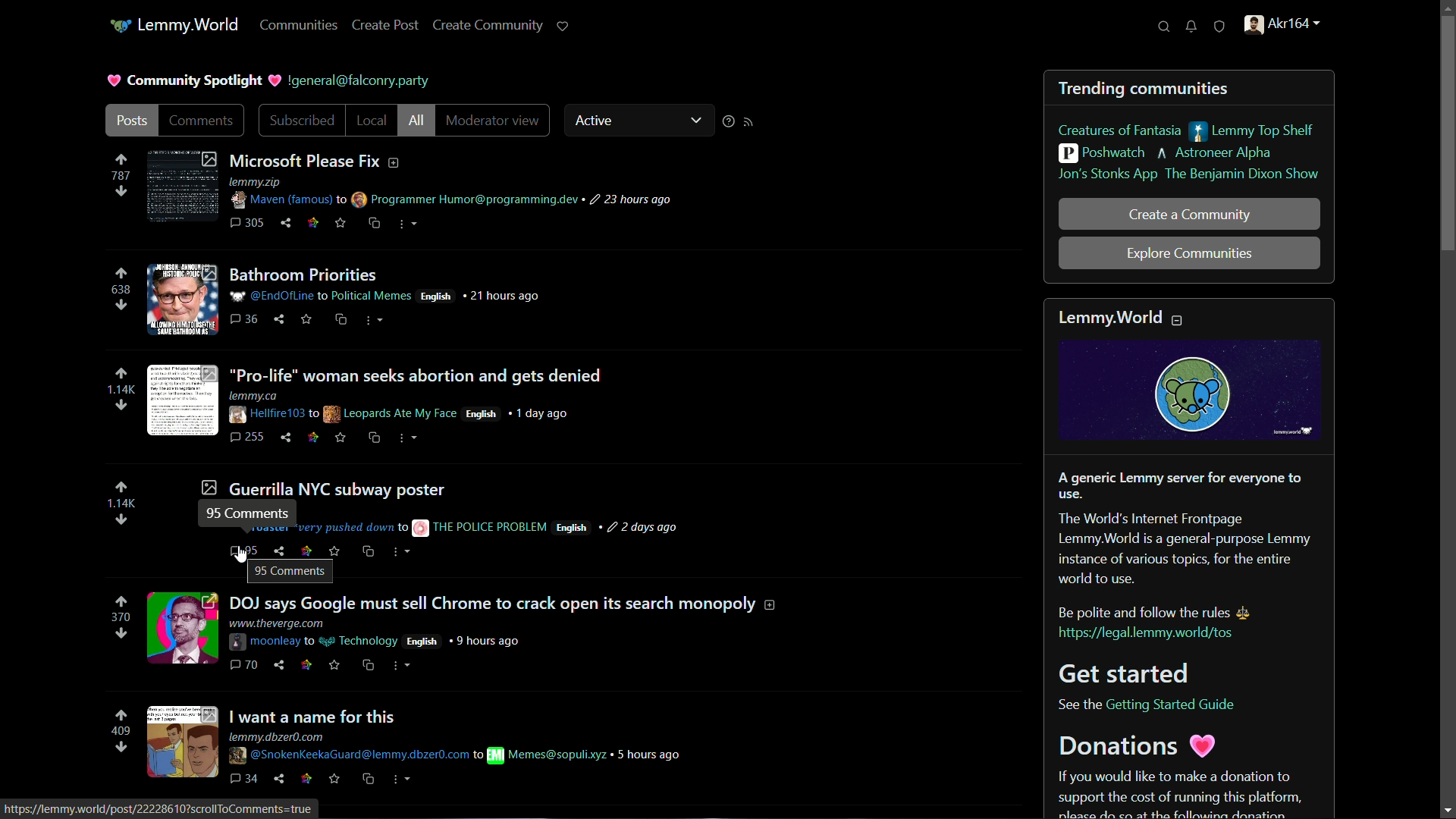 The width and height of the screenshot is (1456, 819). I want to click on , so click(310, 273).